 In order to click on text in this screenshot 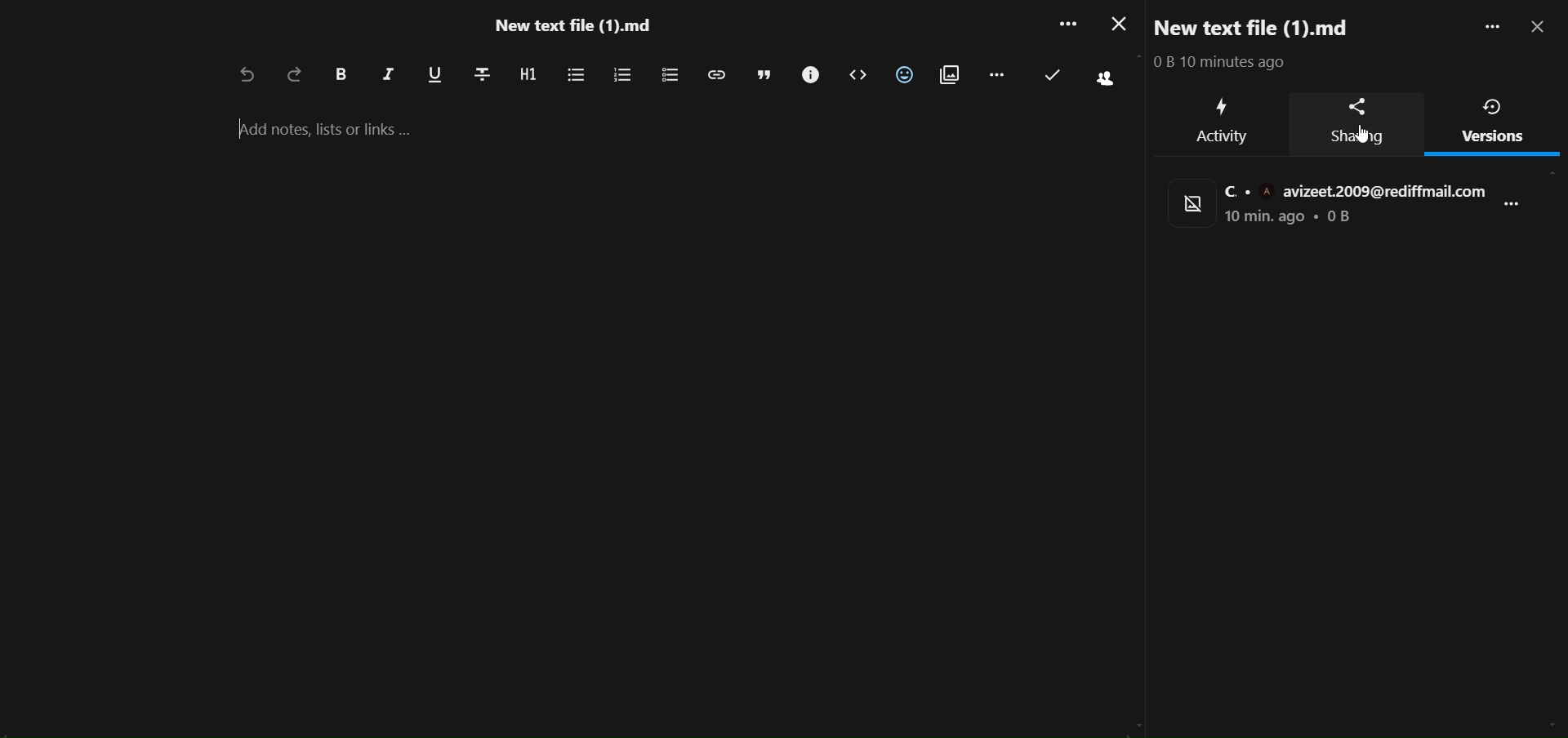, I will do `click(1228, 64)`.